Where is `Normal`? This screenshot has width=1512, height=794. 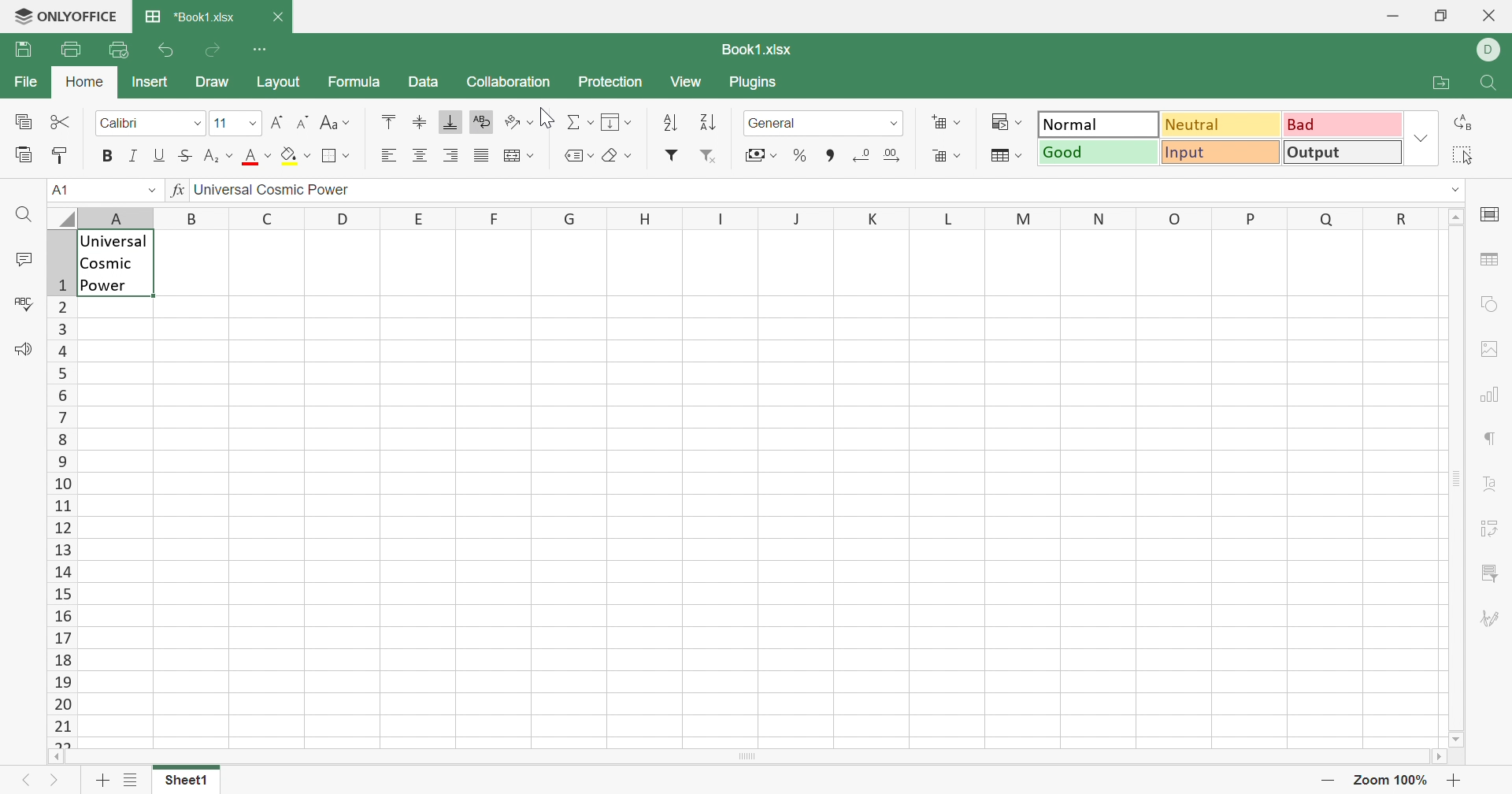 Normal is located at coordinates (1095, 124).